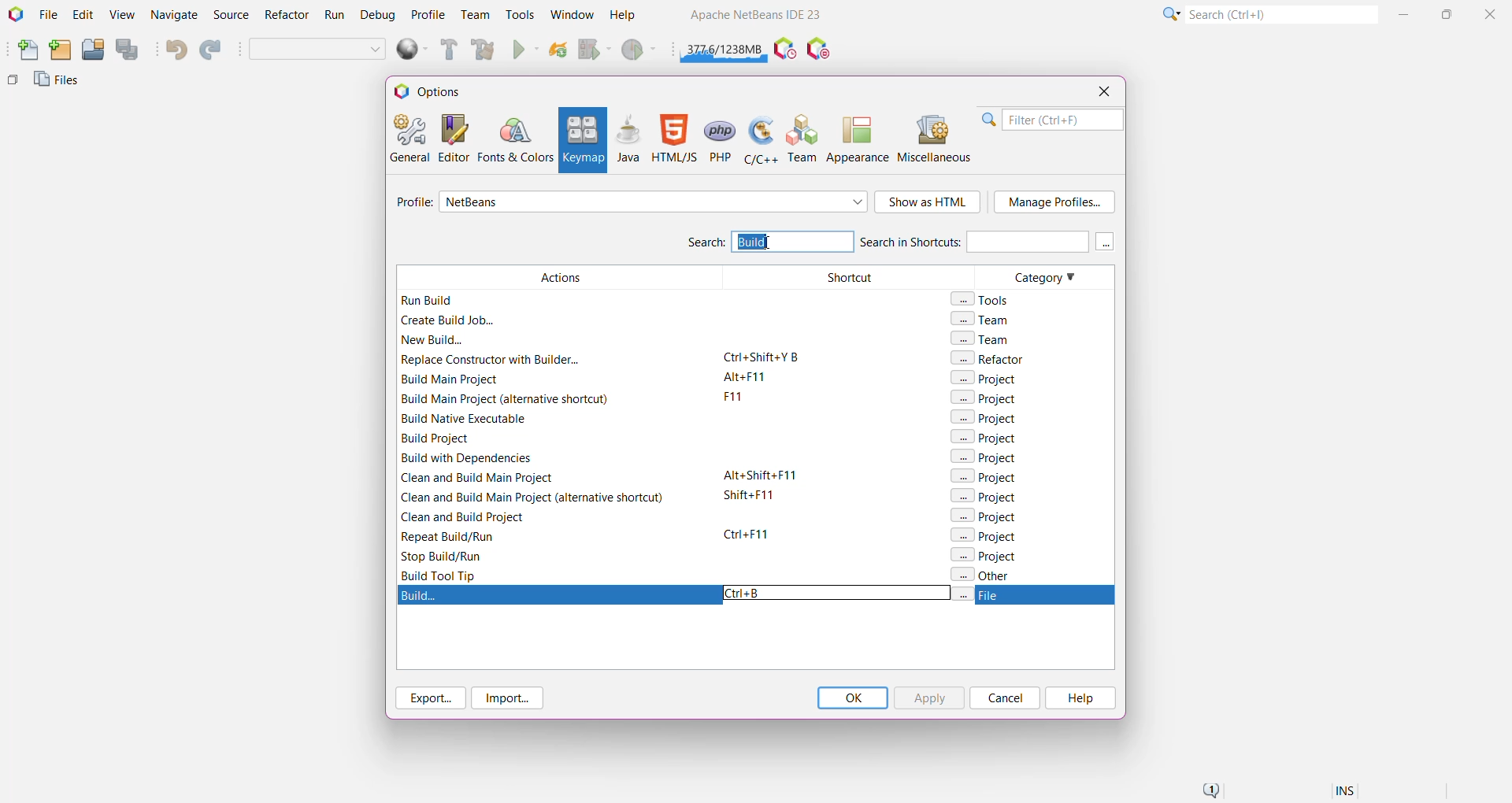 Image resolution: width=1512 pixels, height=803 pixels. What do you see at coordinates (1005, 698) in the screenshot?
I see `Cancel` at bounding box center [1005, 698].